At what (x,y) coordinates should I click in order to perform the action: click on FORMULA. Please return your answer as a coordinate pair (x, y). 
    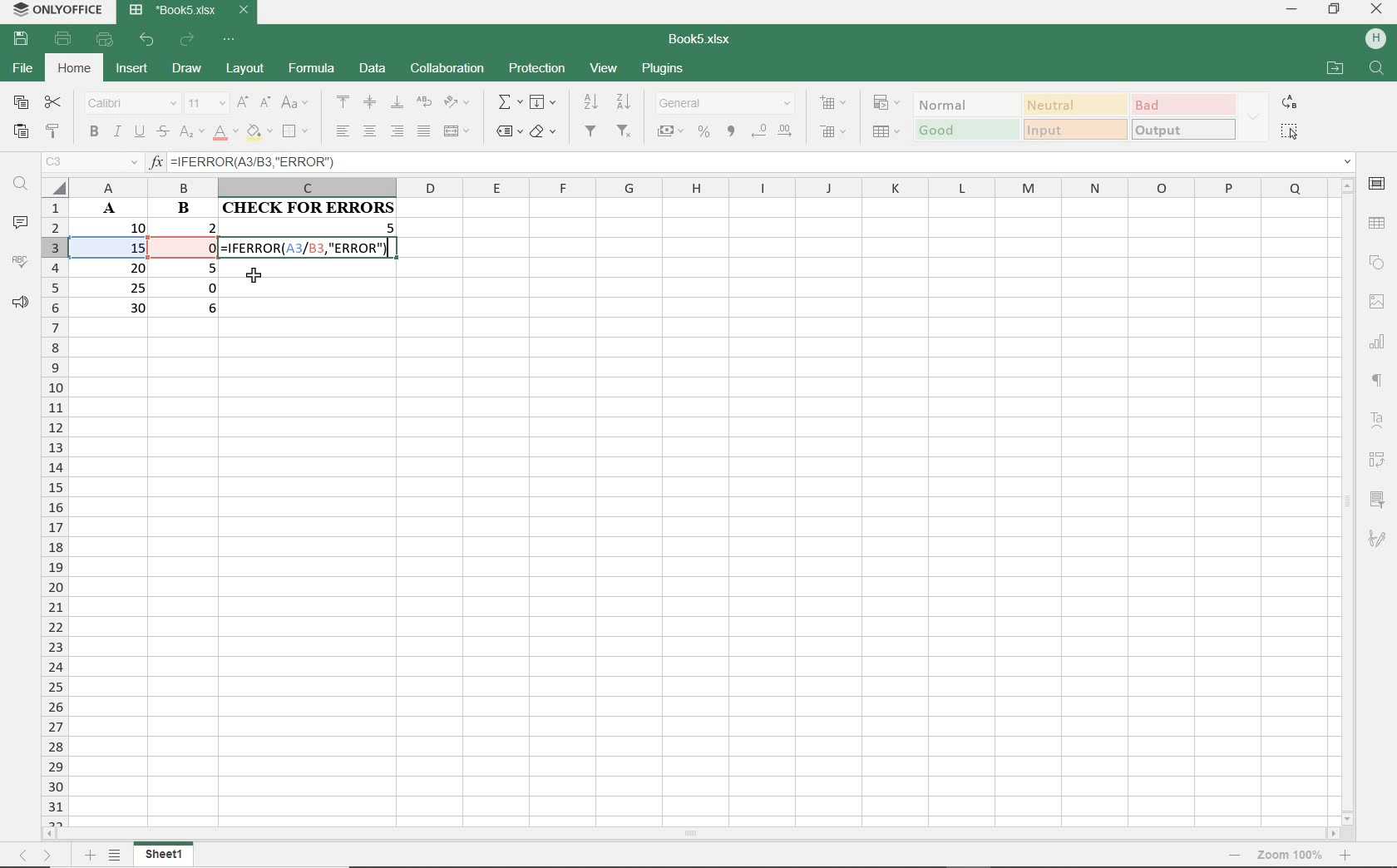
    Looking at the image, I should click on (313, 238).